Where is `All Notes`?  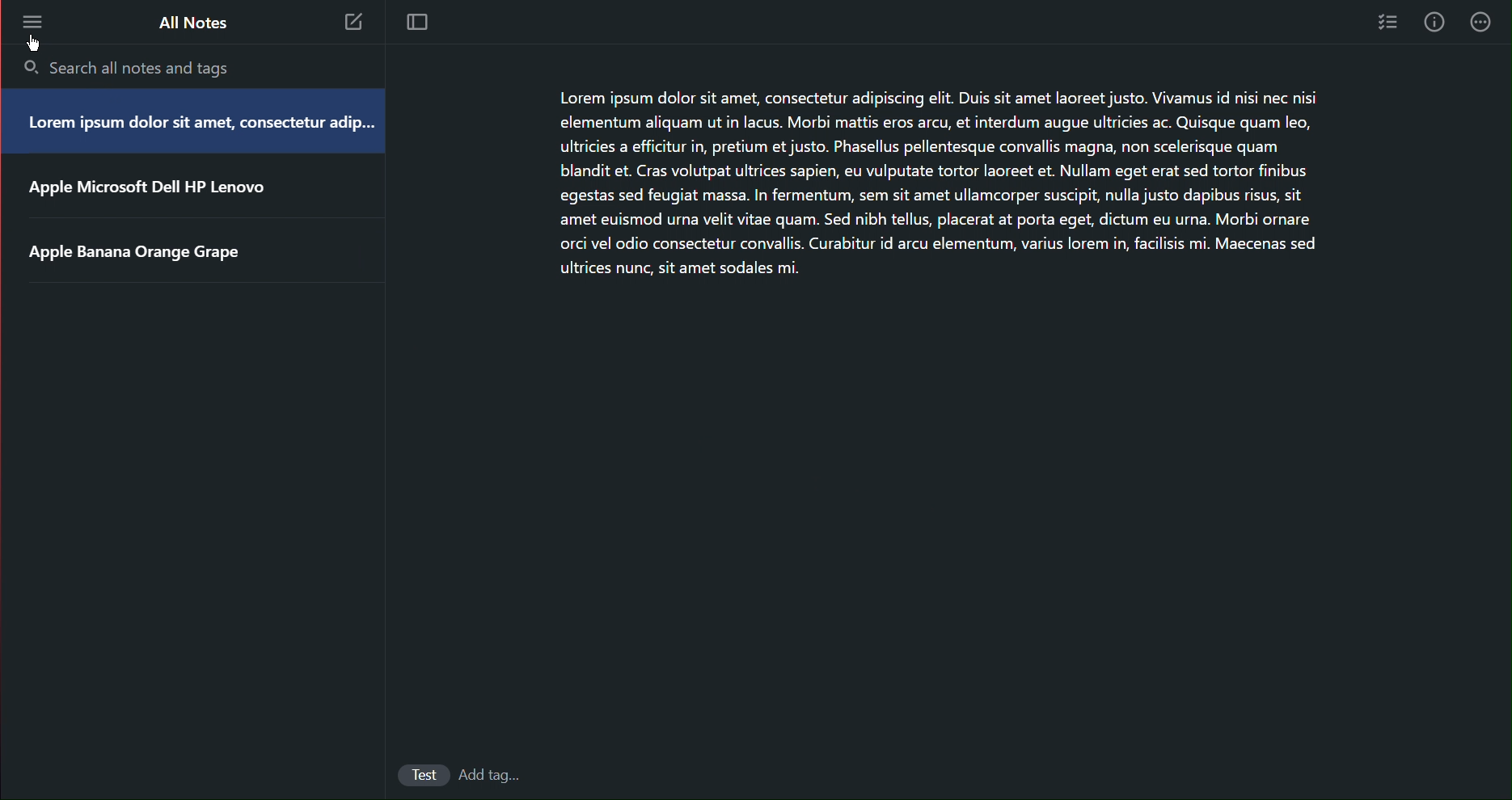 All Notes is located at coordinates (190, 24).